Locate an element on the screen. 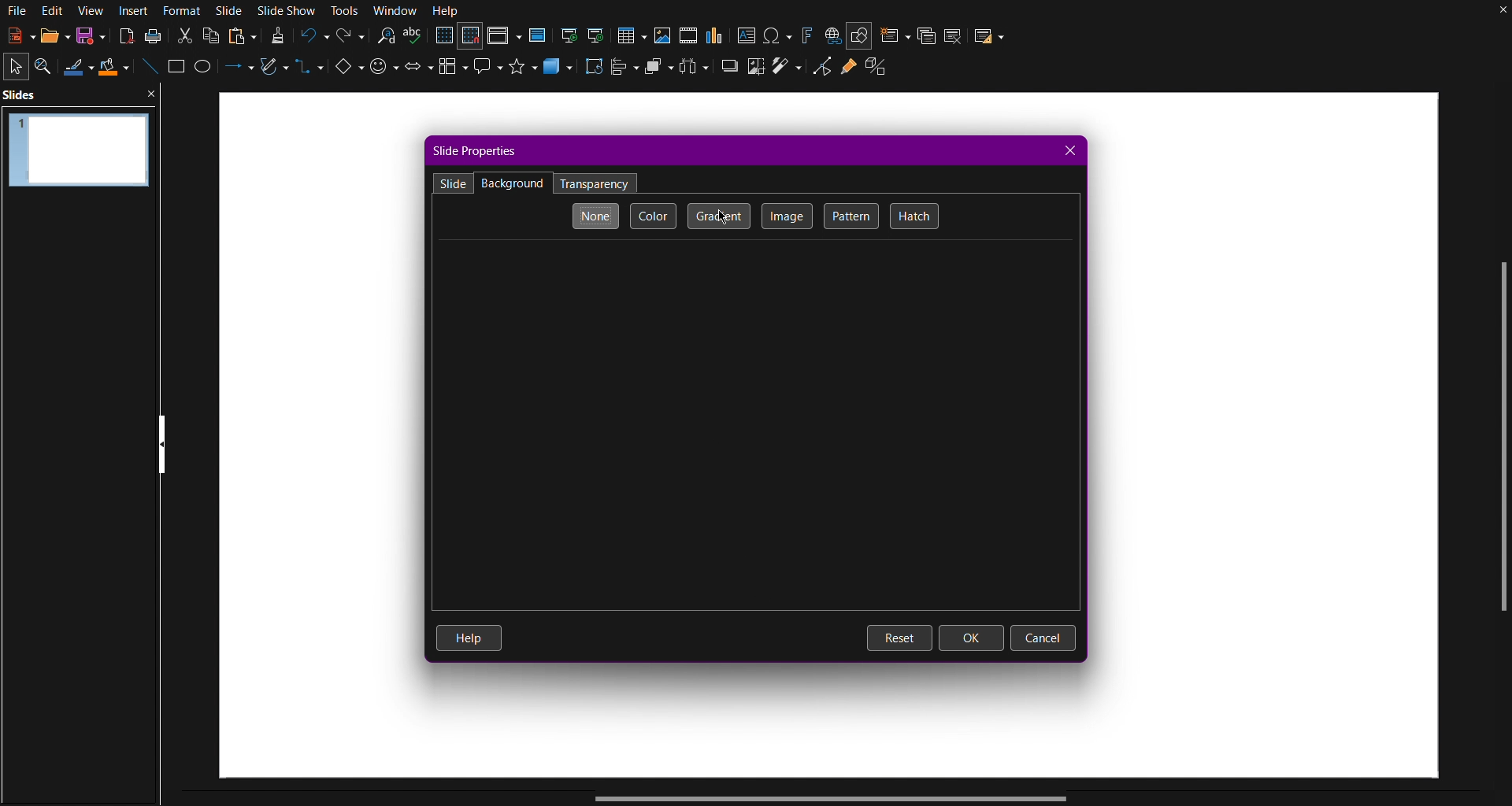  Insert media is located at coordinates (688, 35).